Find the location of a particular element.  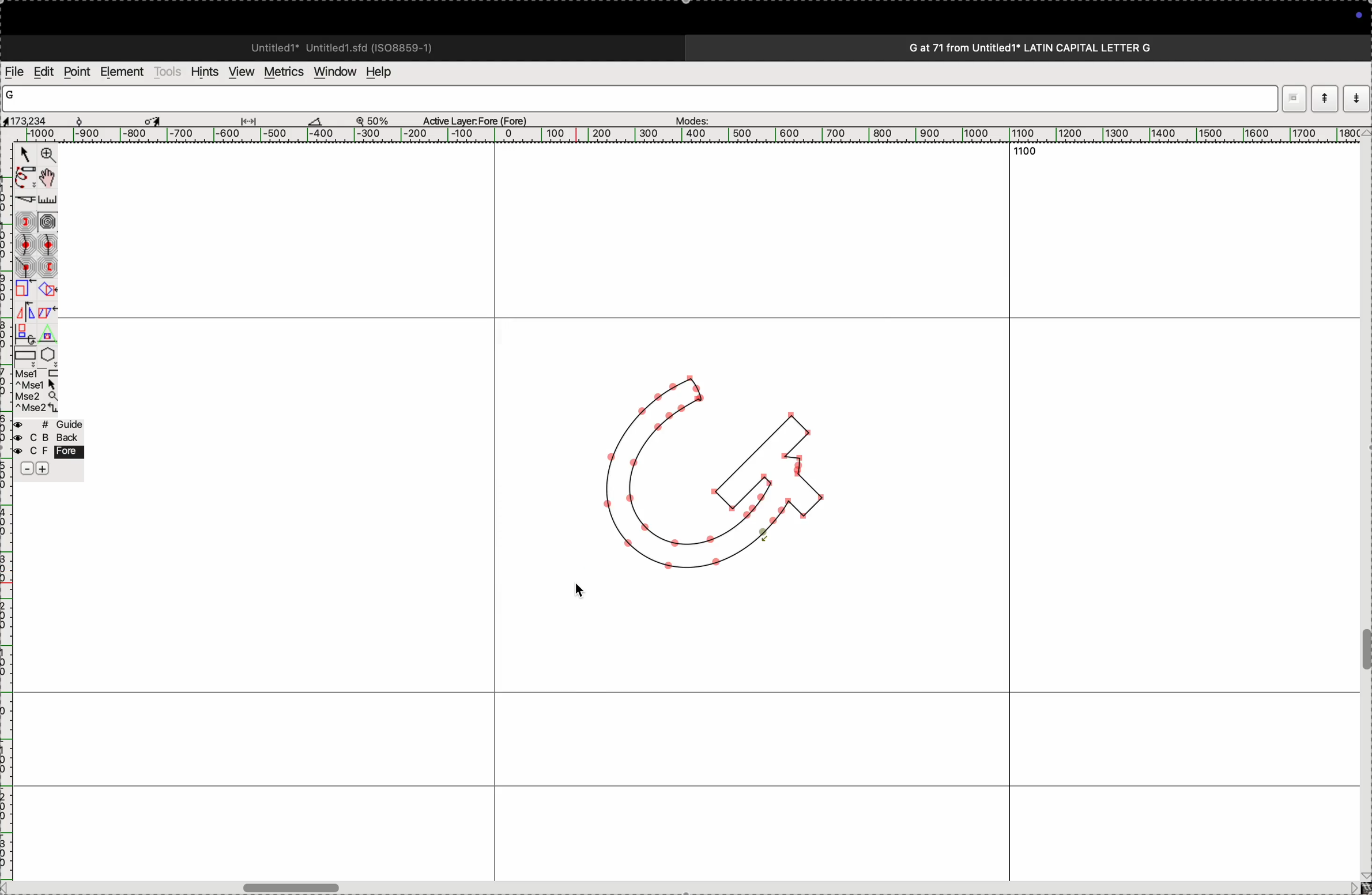

glyph "G" rotated 45 degrees is located at coordinates (704, 469).